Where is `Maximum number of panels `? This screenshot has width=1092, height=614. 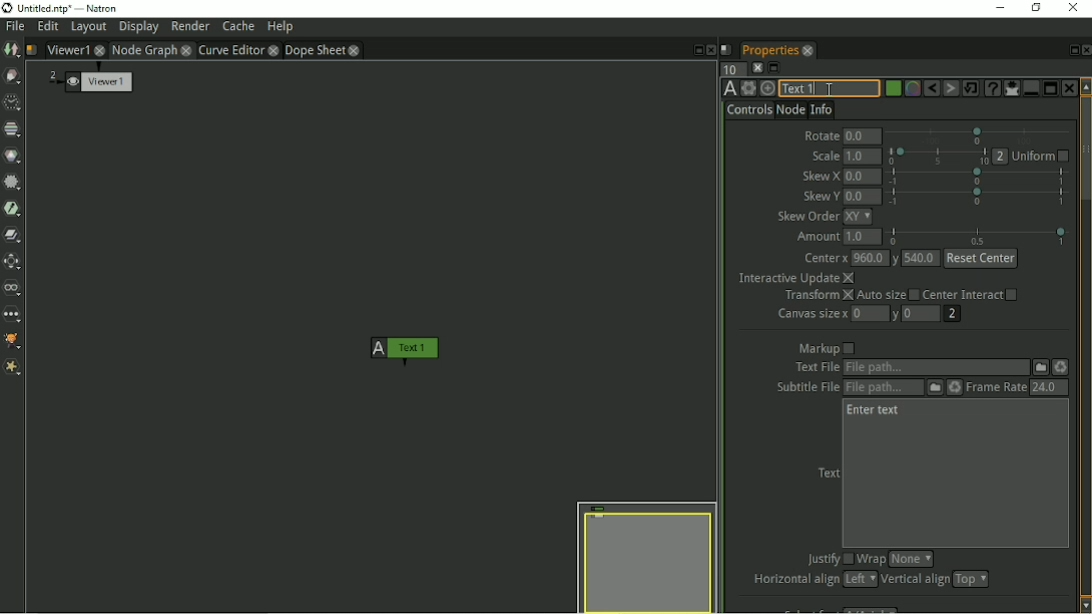 Maximum number of panels  is located at coordinates (729, 70).